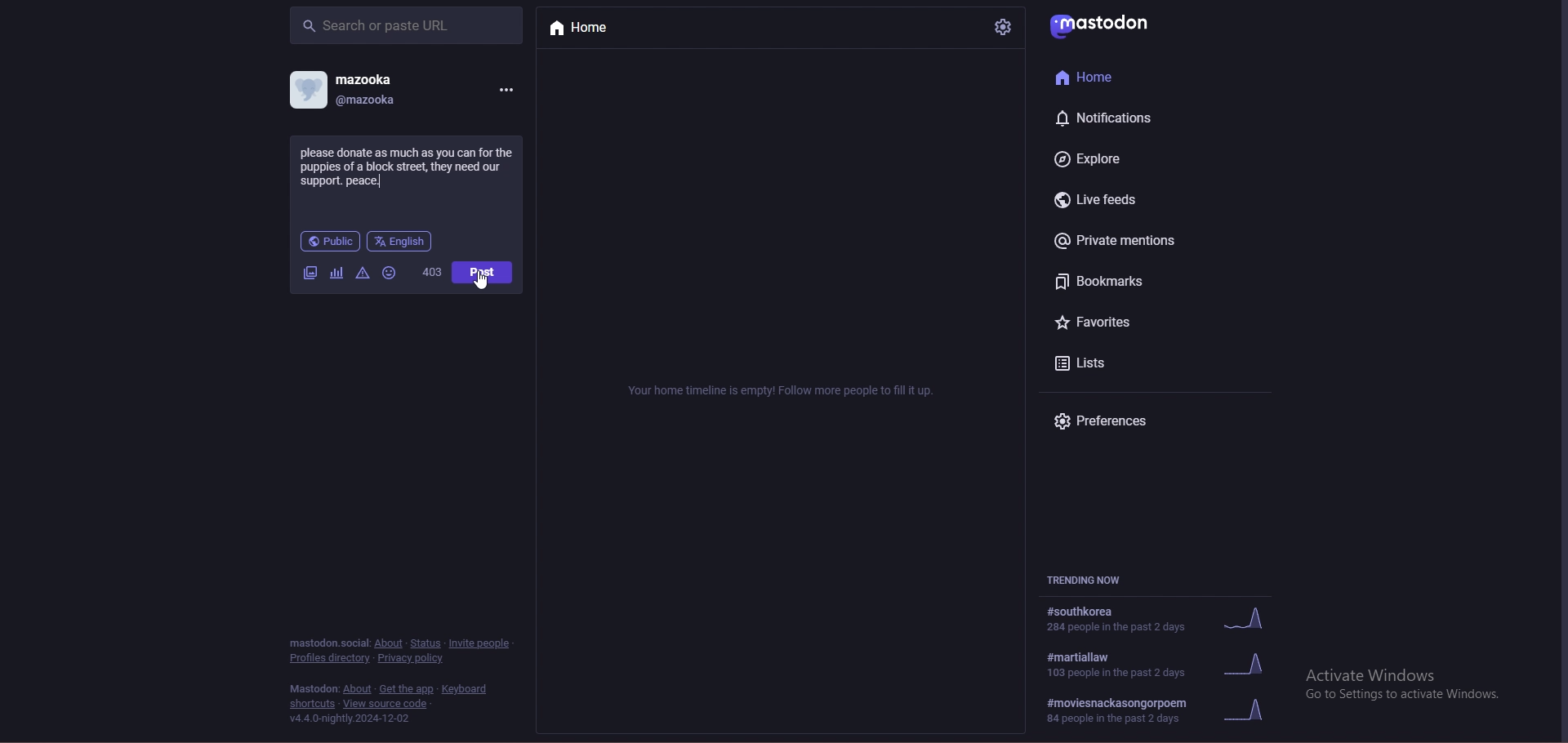 Image resolution: width=1568 pixels, height=743 pixels. Describe the element at coordinates (433, 272) in the screenshot. I see `worf count` at that location.